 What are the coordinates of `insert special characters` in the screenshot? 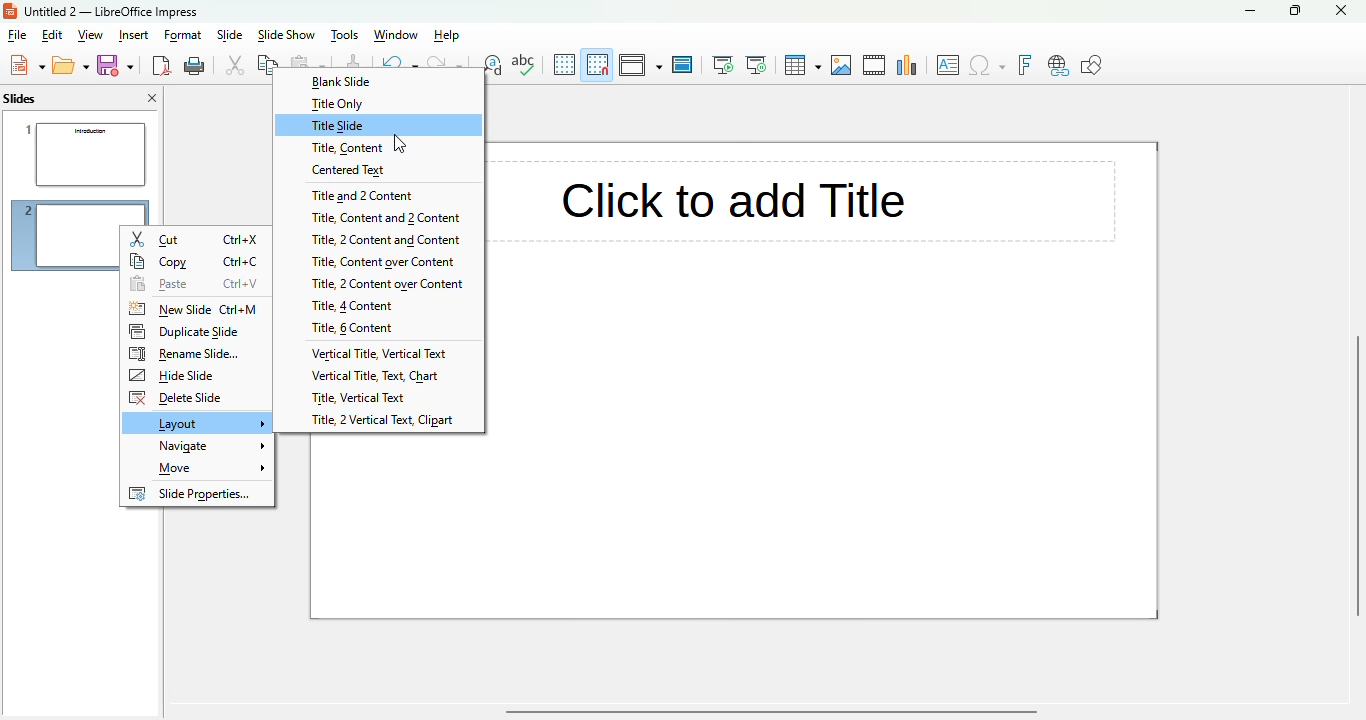 It's located at (987, 65).